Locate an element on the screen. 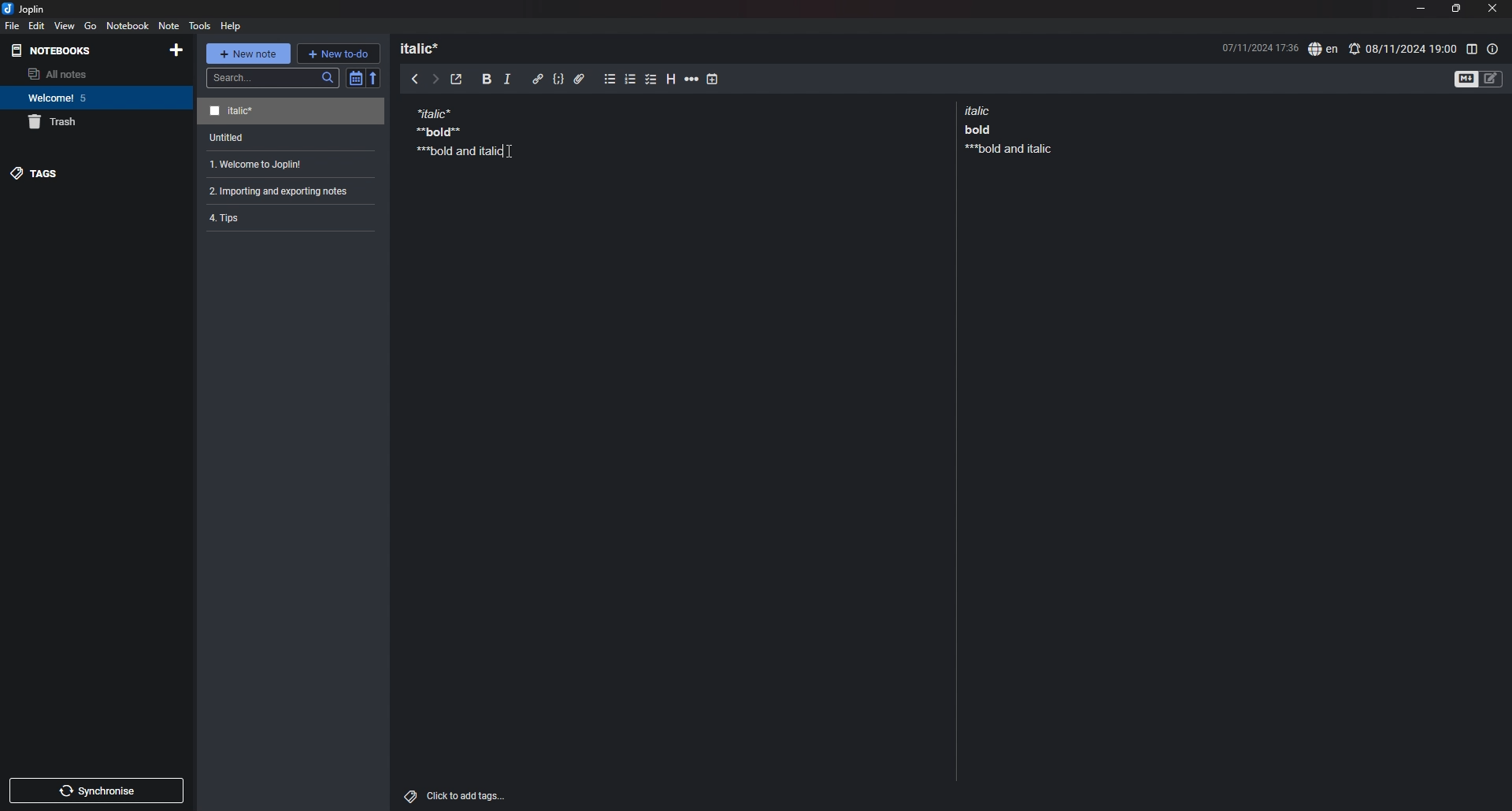 This screenshot has height=811, width=1512. joplin is located at coordinates (24, 9).